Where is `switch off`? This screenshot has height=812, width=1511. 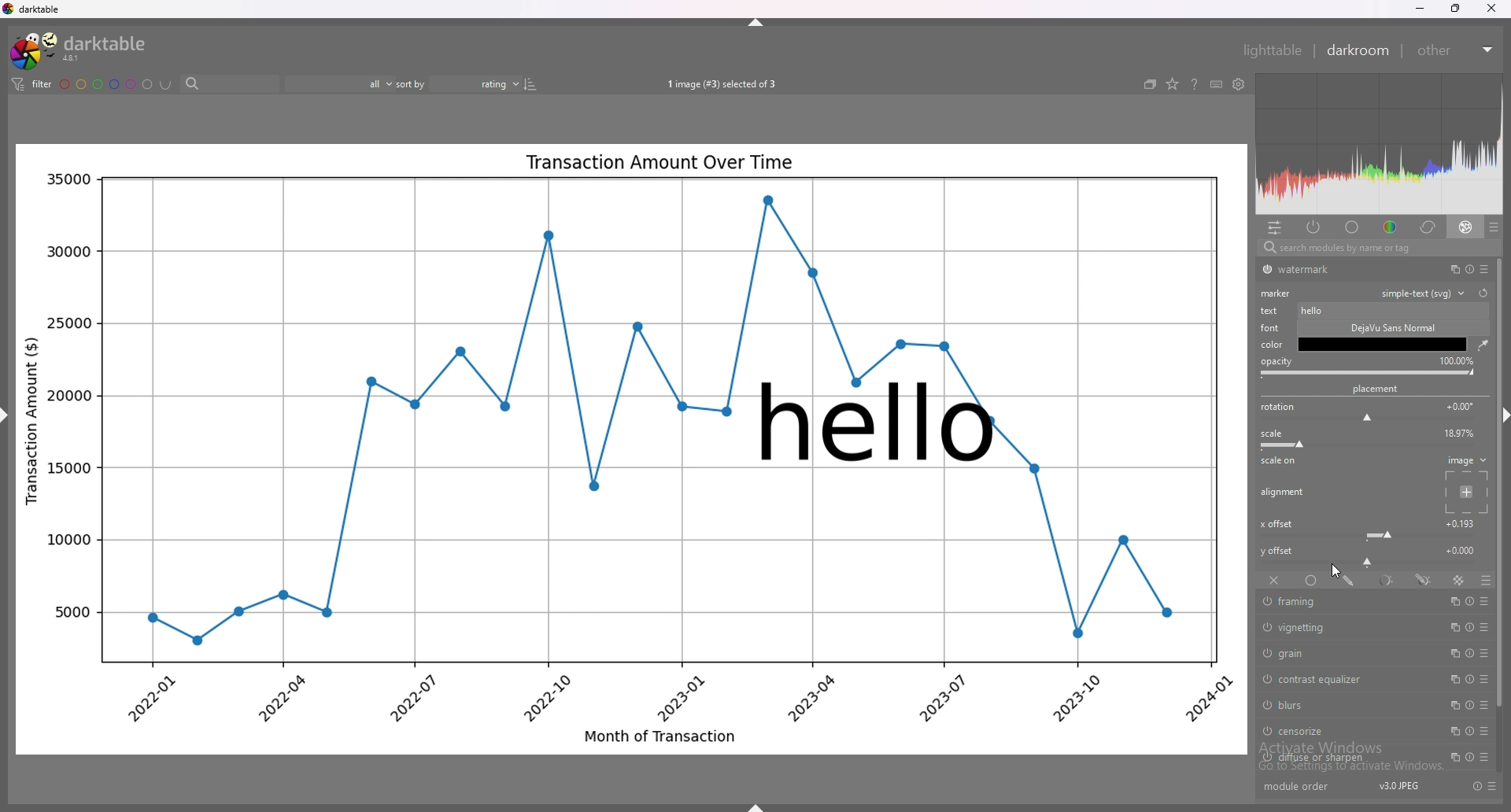
switch off is located at coordinates (1267, 706).